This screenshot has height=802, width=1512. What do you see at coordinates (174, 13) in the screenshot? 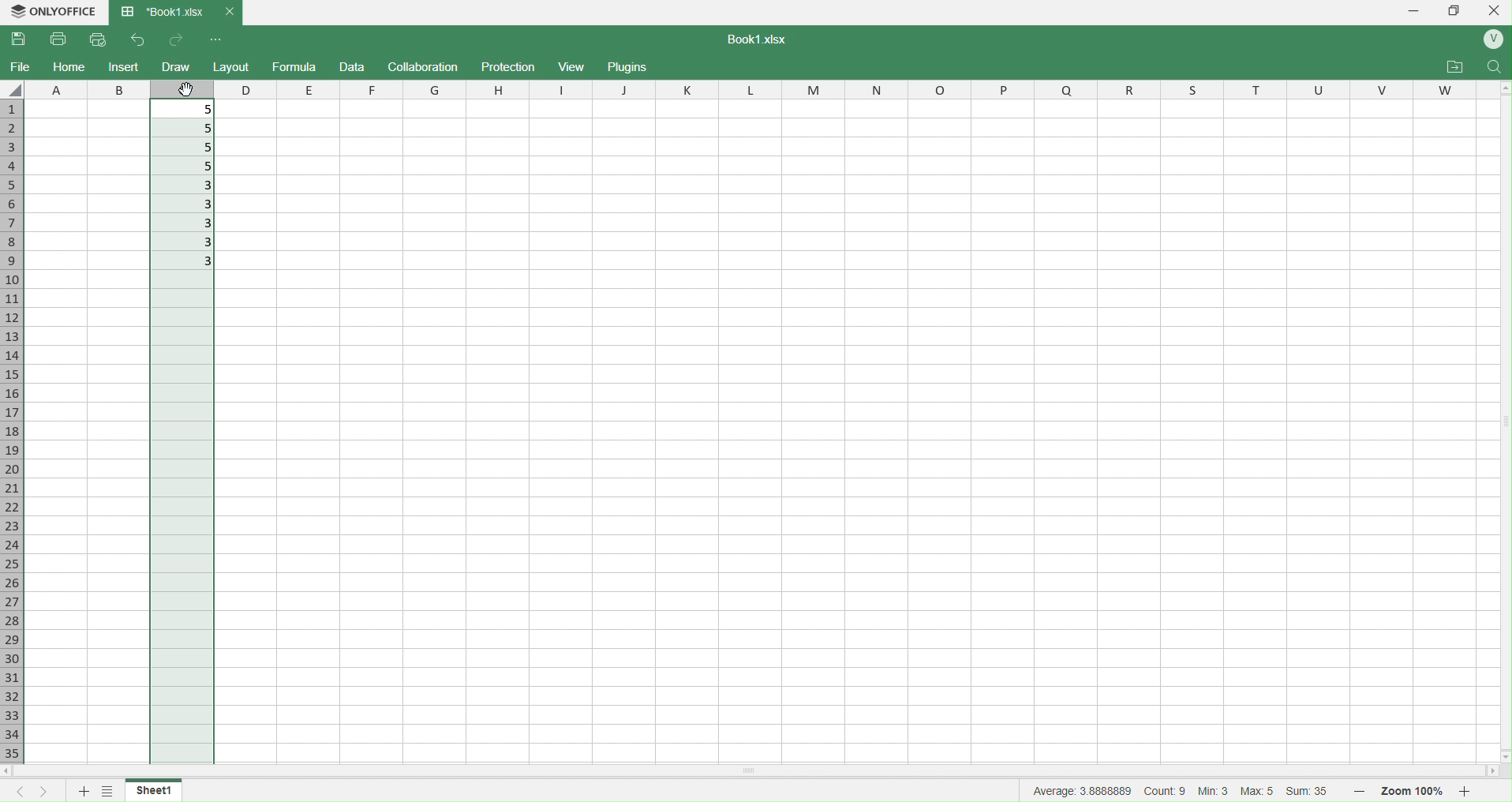
I see `Book` at bounding box center [174, 13].